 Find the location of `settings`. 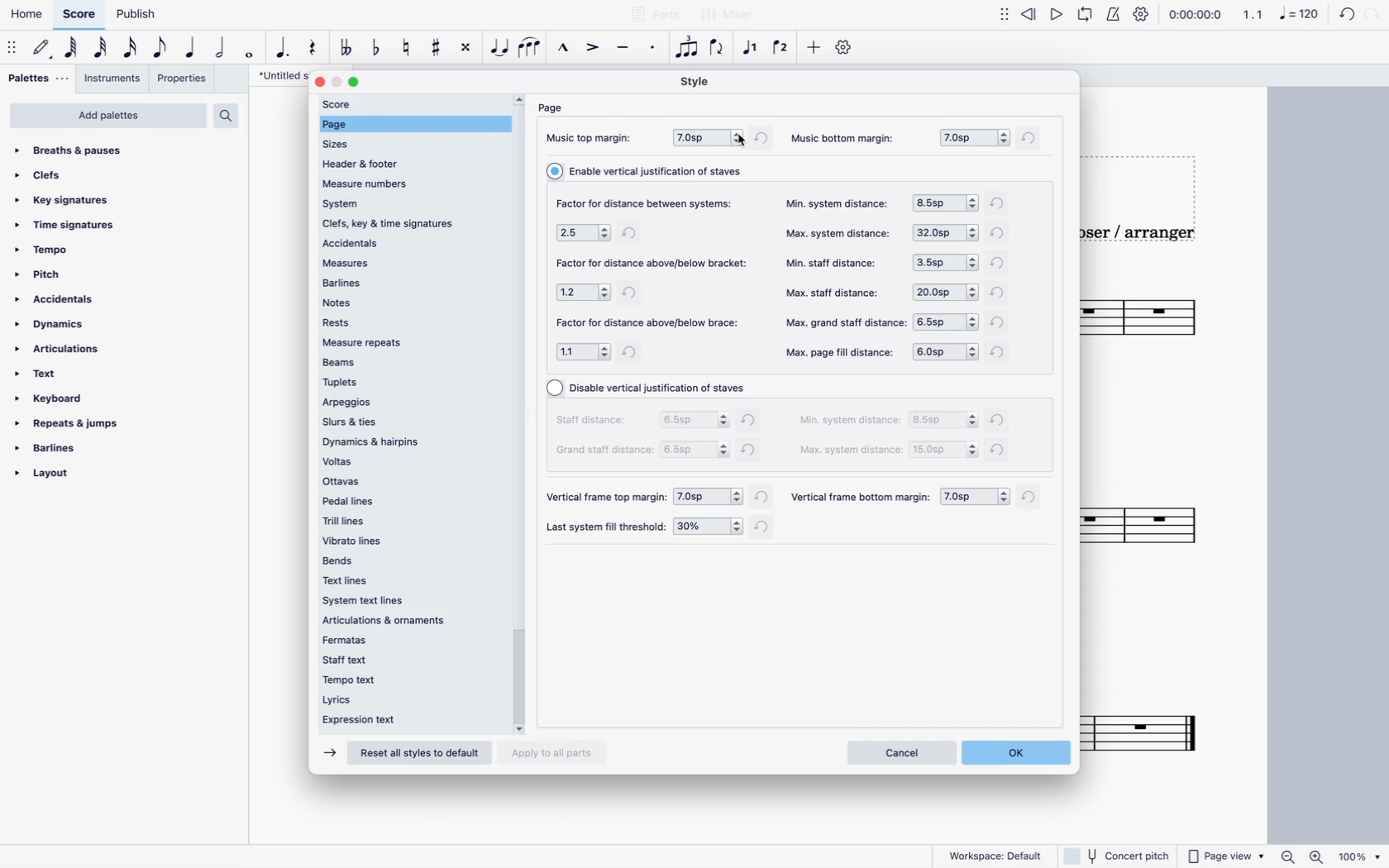

settings is located at coordinates (843, 51).